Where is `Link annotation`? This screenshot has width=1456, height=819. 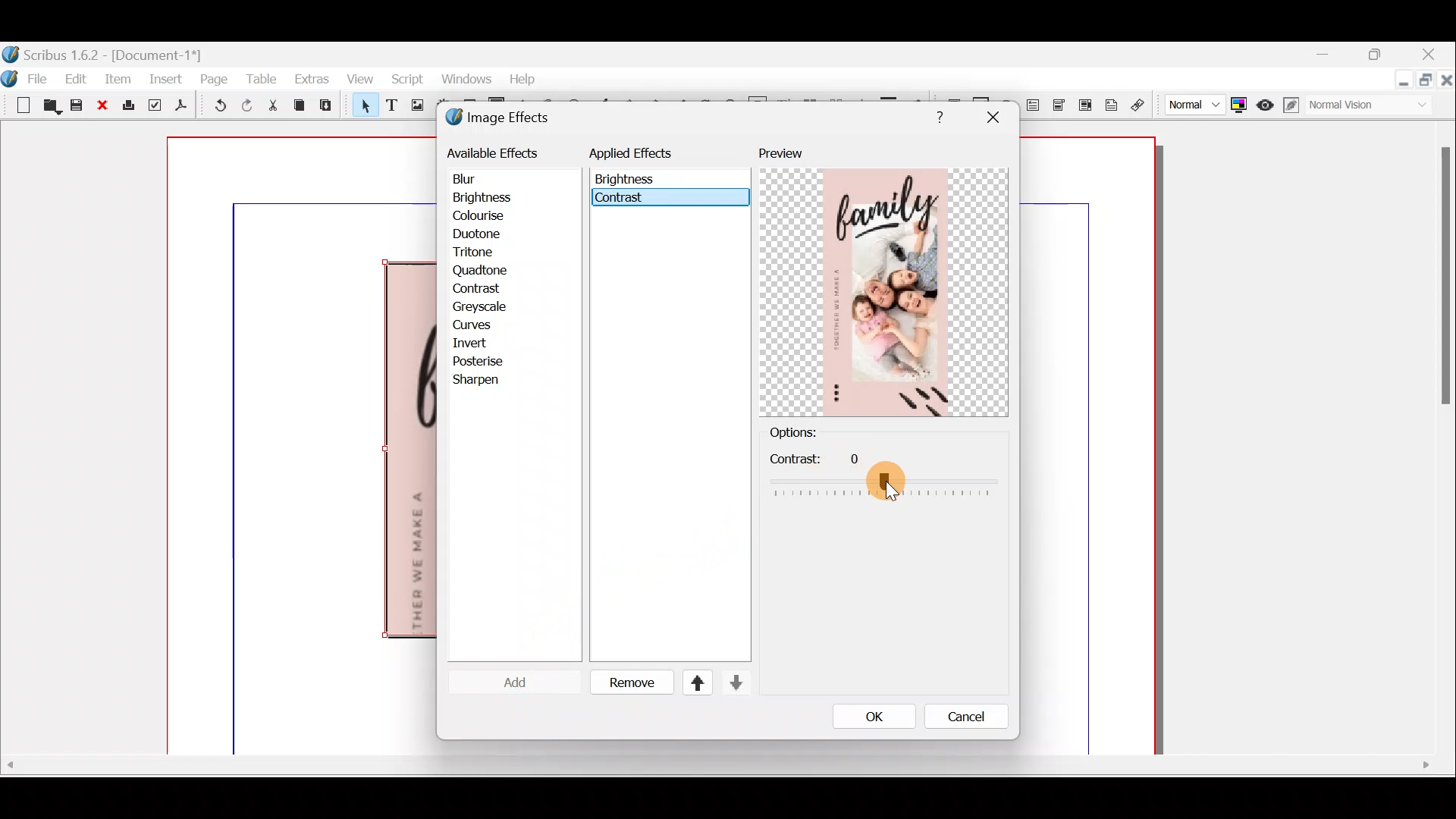 Link annotation is located at coordinates (1141, 105).